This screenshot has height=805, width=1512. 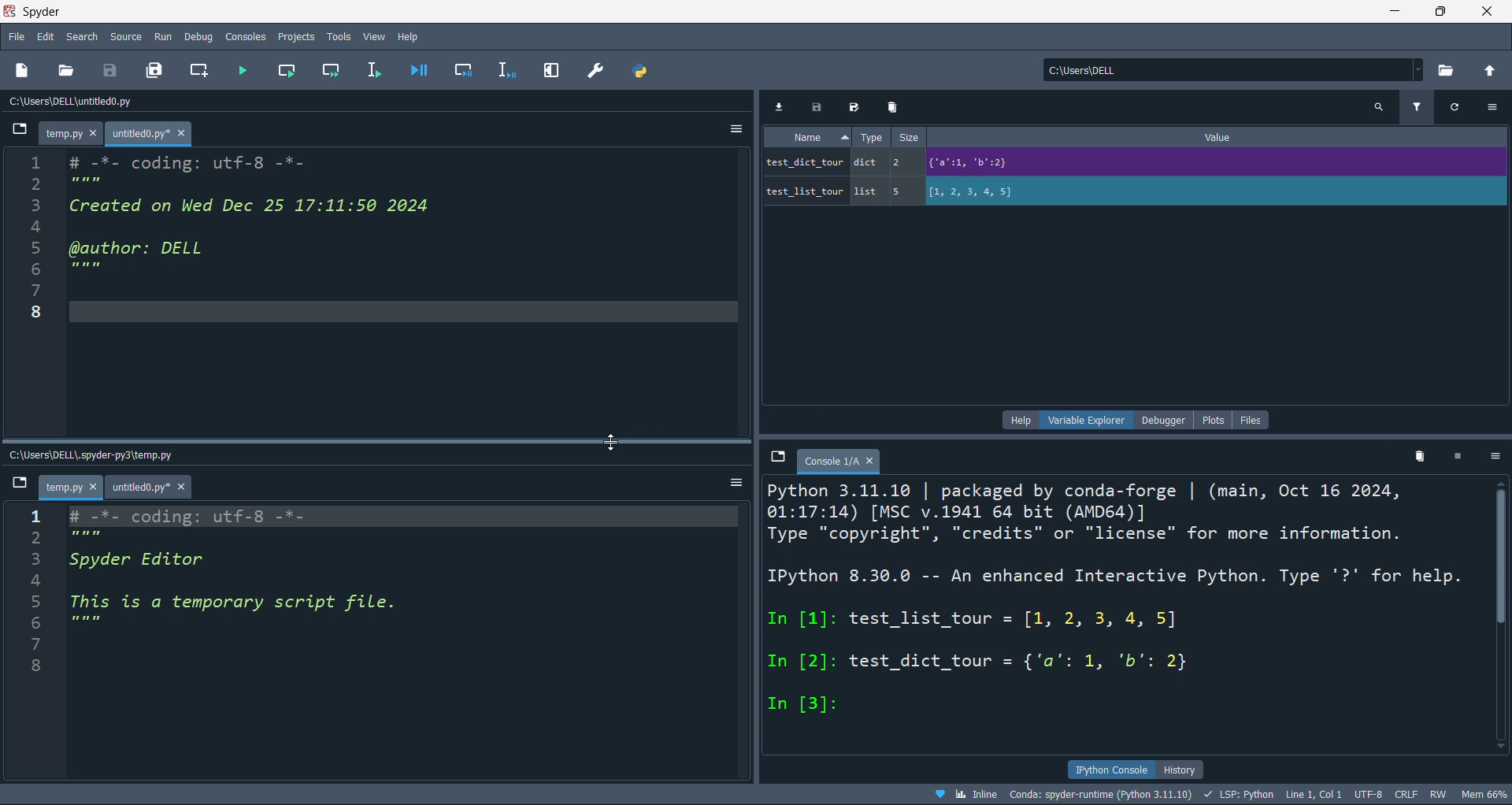 What do you see at coordinates (380, 69) in the screenshot?
I see `run line` at bounding box center [380, 69].